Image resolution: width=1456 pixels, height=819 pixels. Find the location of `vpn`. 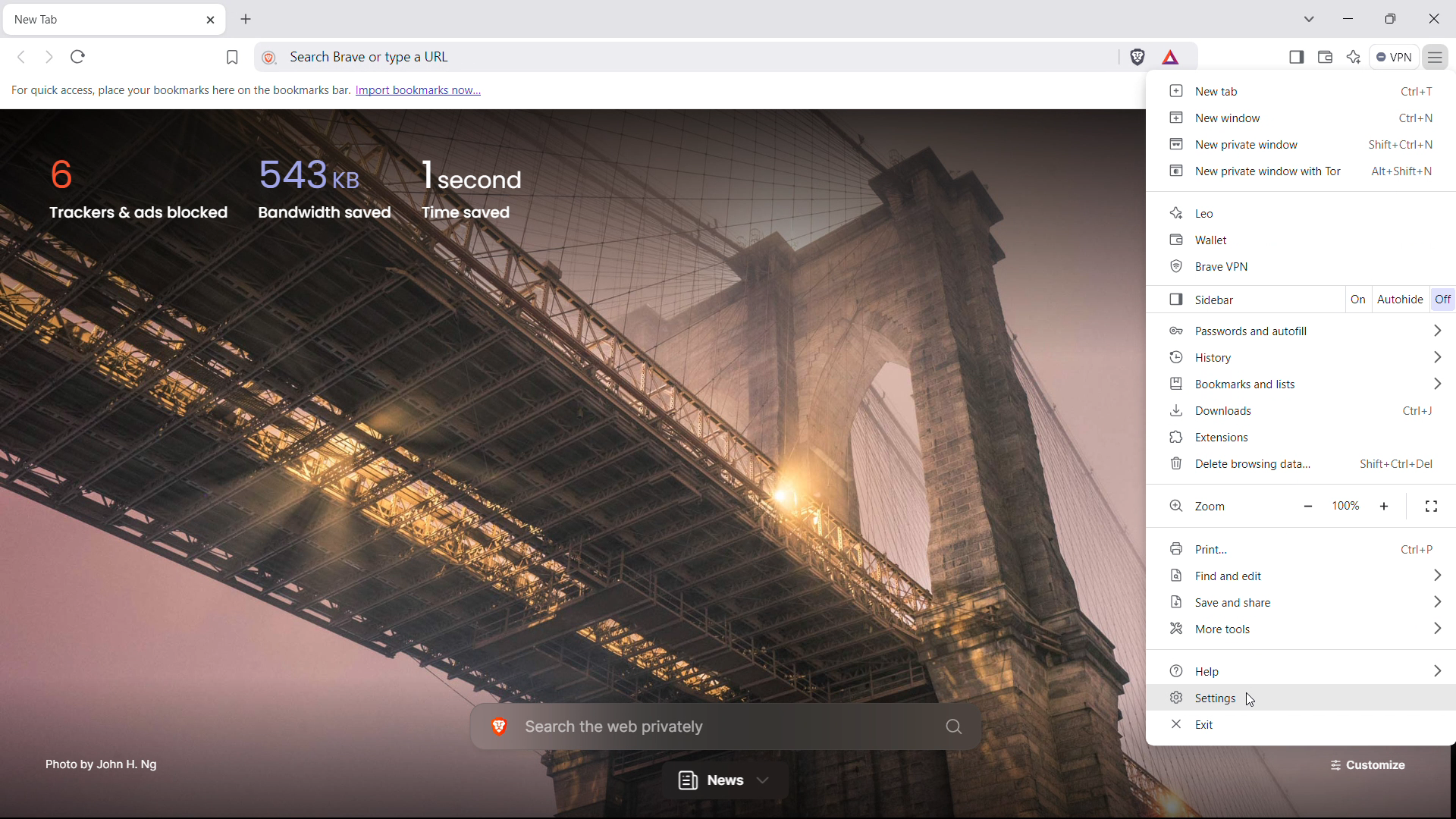

vpn is located at coordinates (1394, 58).